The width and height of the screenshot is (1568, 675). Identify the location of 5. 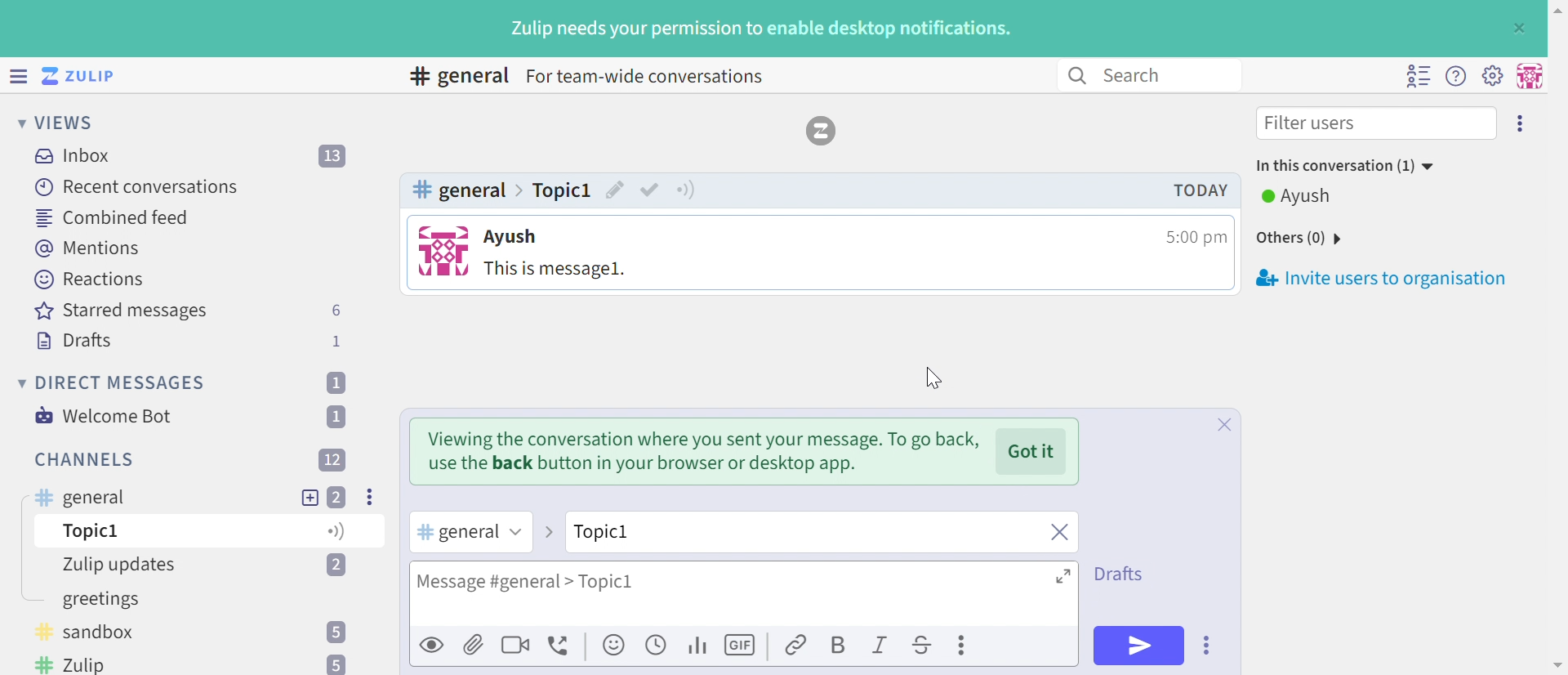
(338, 632).